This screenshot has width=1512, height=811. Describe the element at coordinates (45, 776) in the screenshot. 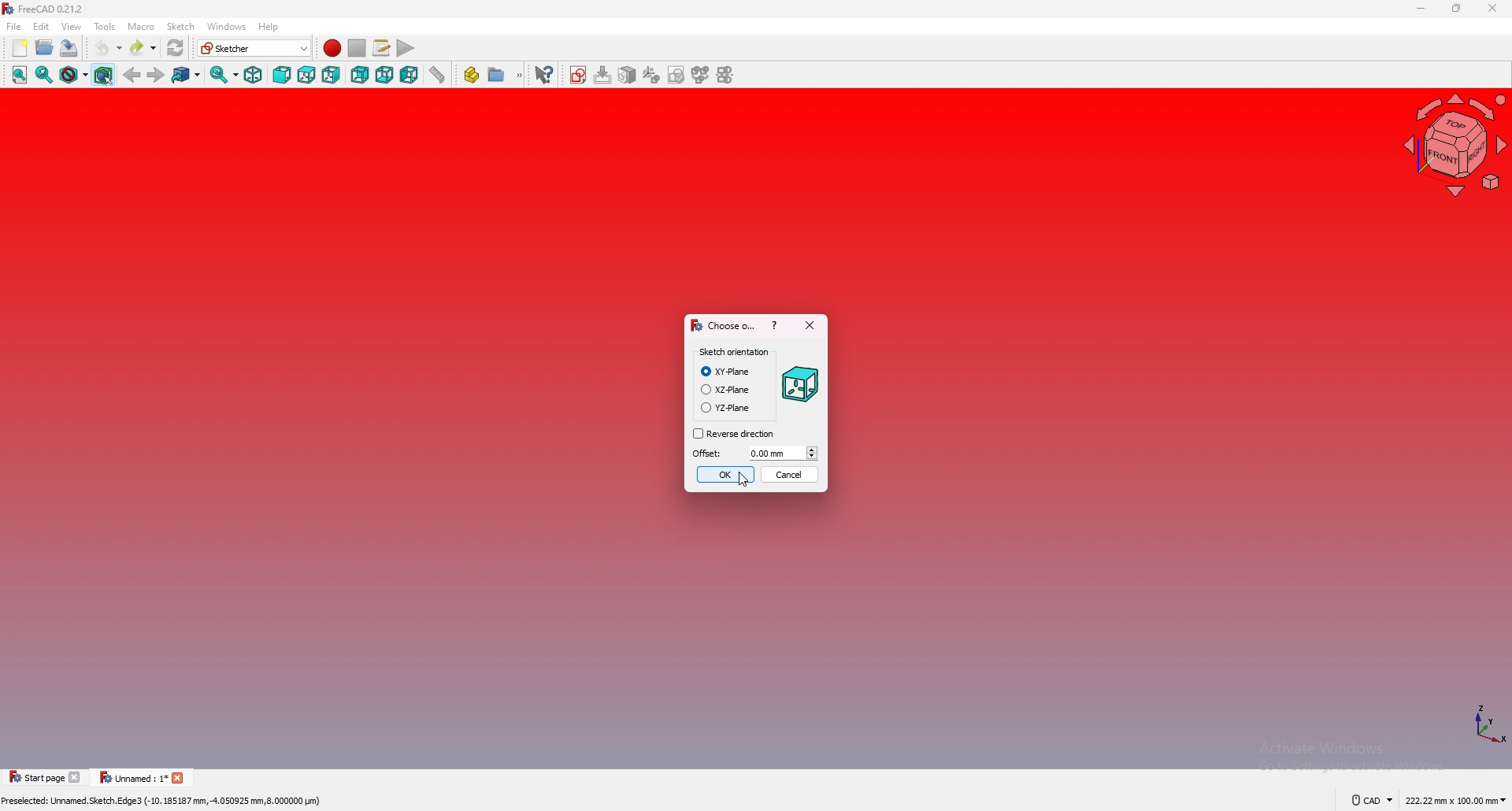

I see `tab 1` at that location.